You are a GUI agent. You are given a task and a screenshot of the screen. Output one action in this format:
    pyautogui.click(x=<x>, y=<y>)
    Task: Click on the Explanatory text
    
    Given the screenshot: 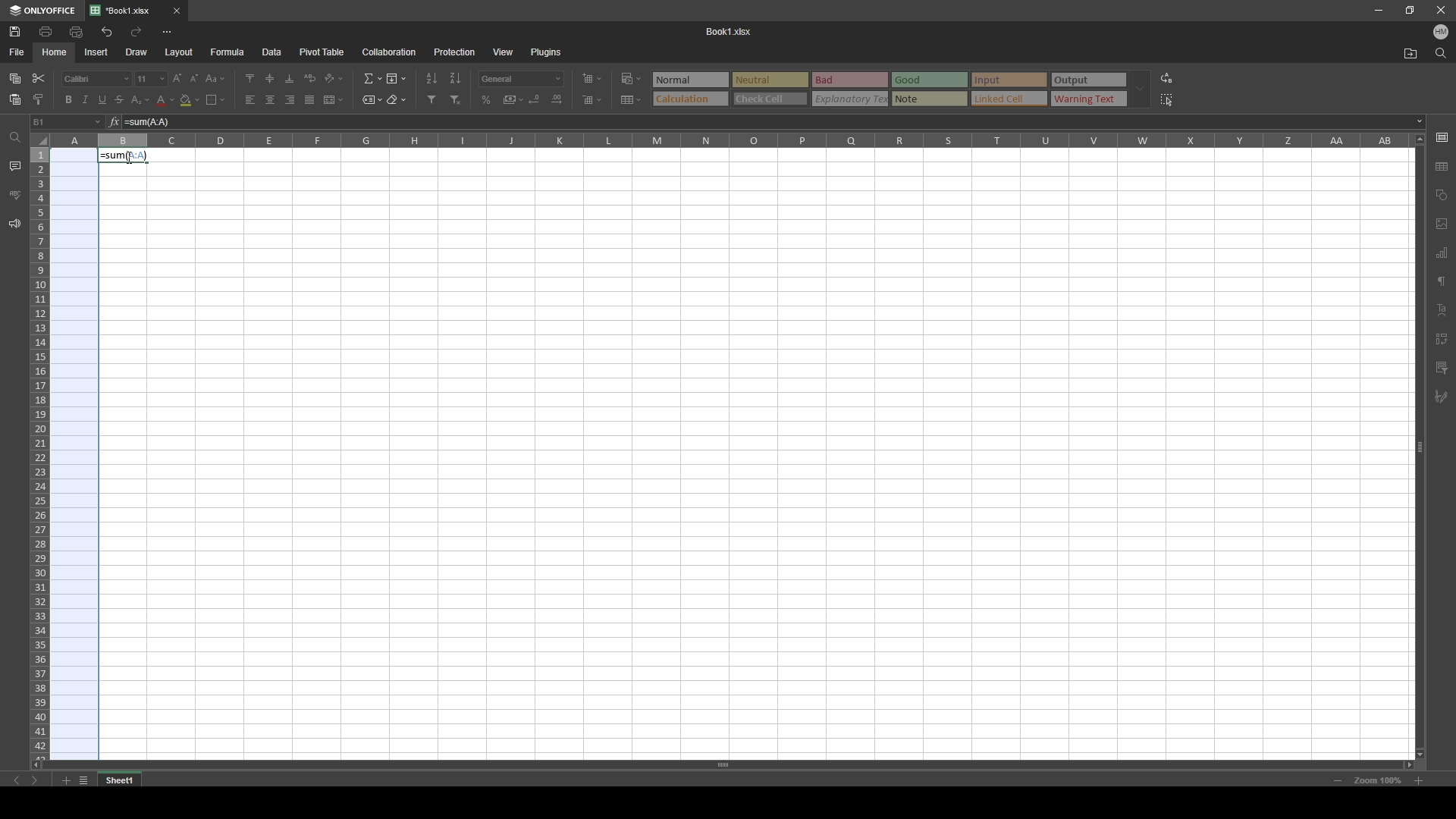 What is the action you would take?
    pyautogui.click(x=852, y=99)
    